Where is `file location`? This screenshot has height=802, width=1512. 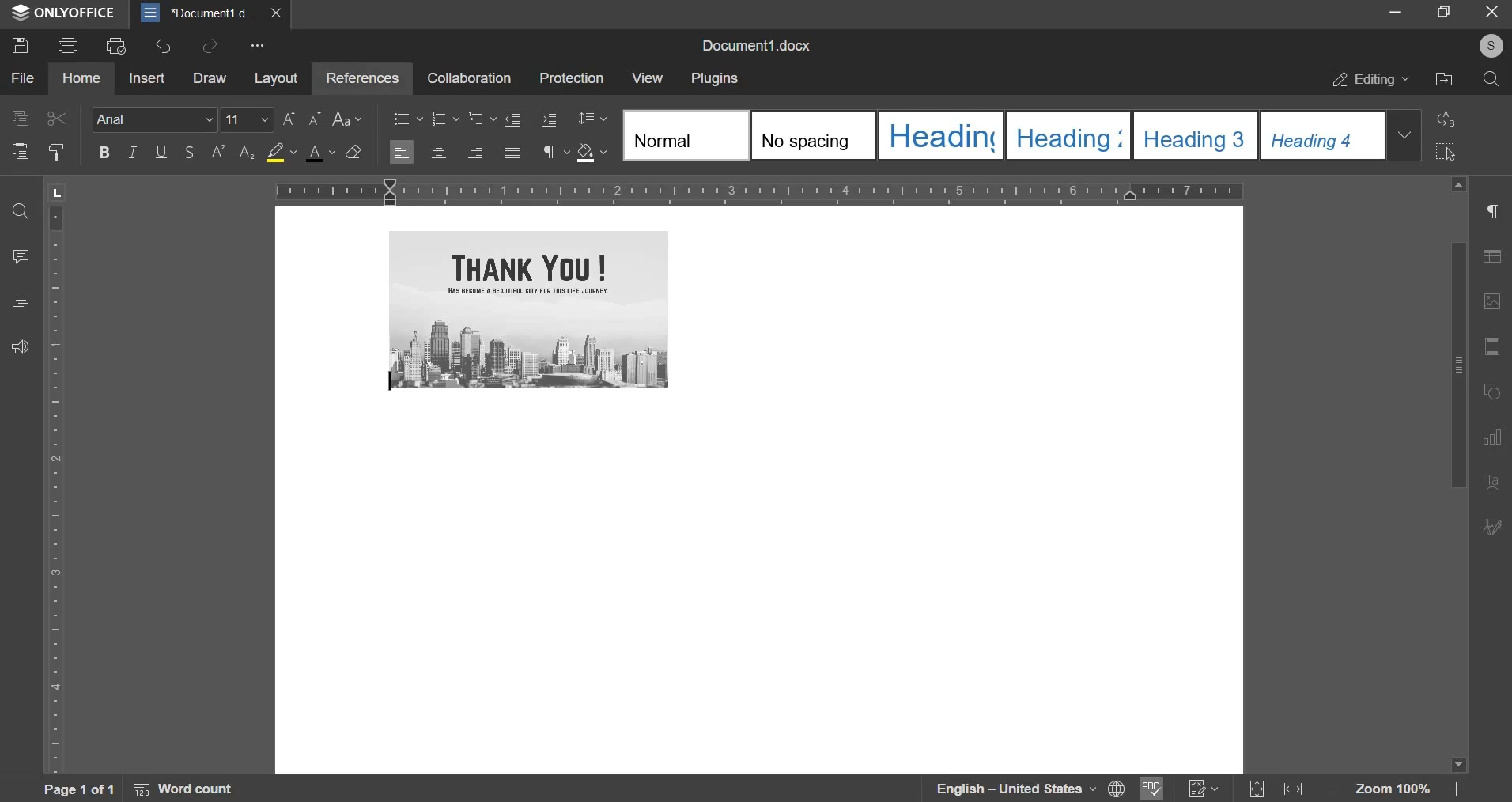
file location is located at coordinates (1443, 78).